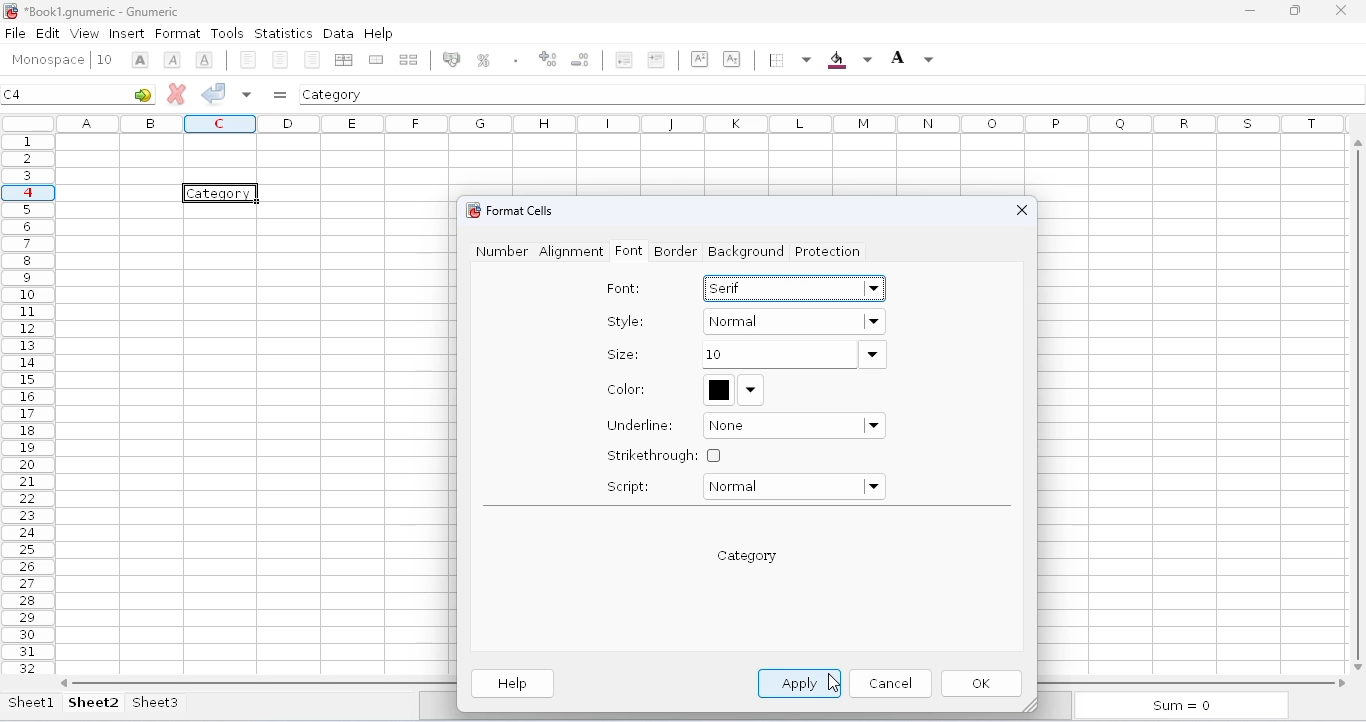 This screenshot has height=722, width=1366. Describe the element at coordinates (247, 94) in the screenshot. I see `accept changes to multiple cells` at that location.